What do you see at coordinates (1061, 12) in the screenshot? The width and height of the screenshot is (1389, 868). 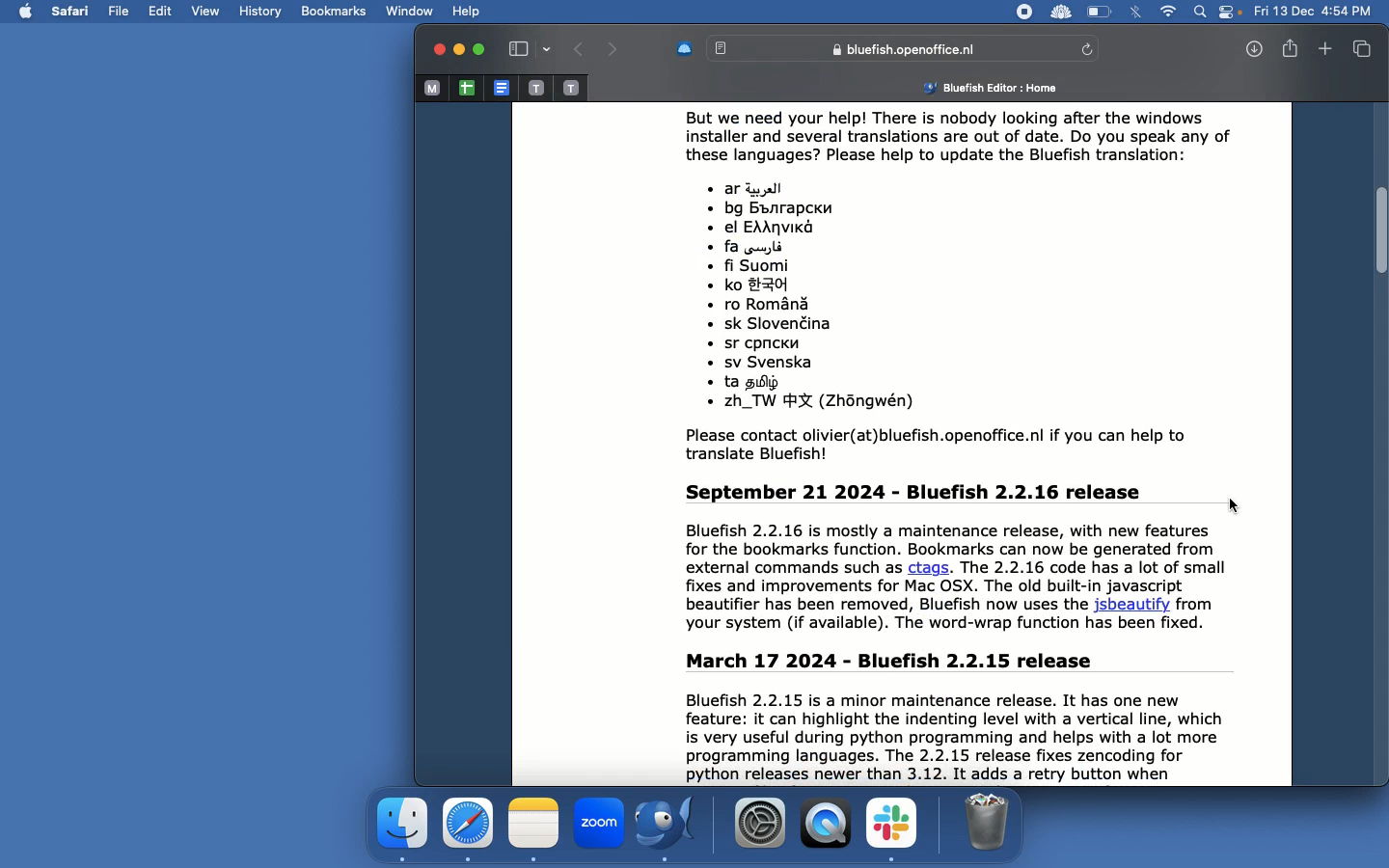 I see `Extensions ` at bounding box center [1061, 12].